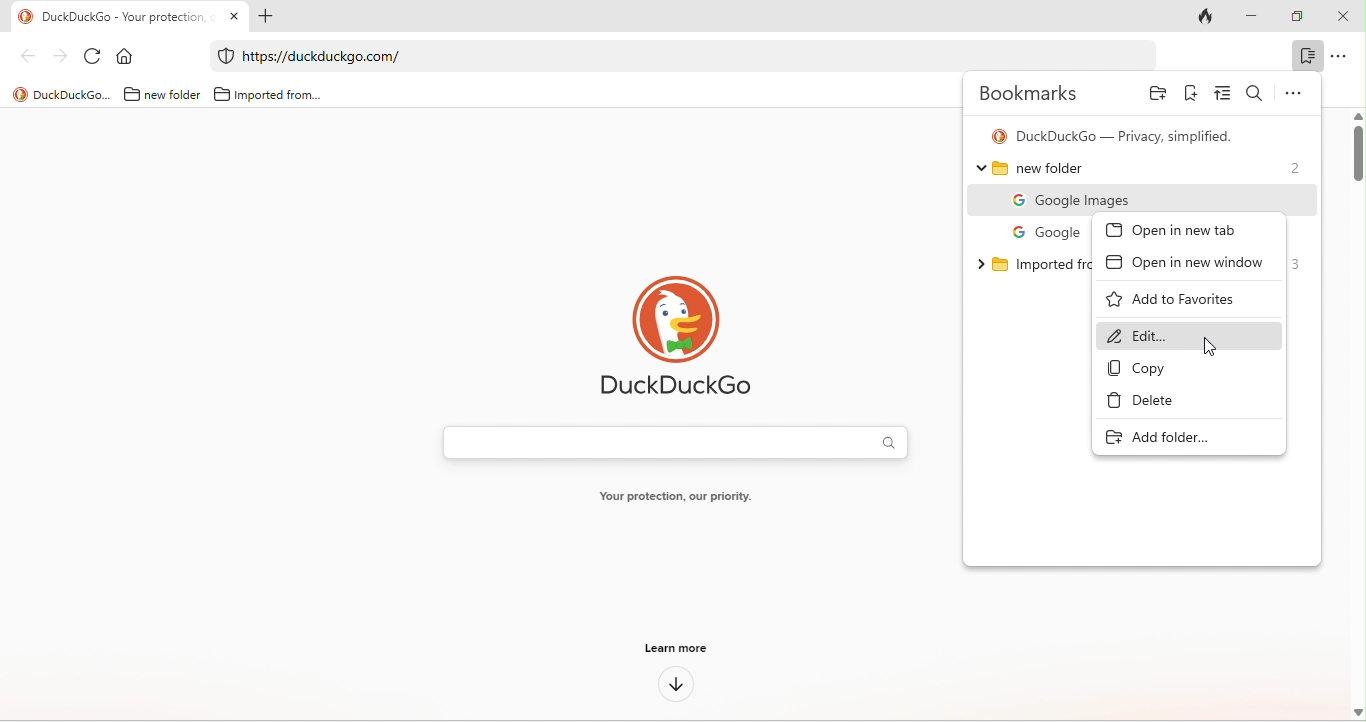 Image resolution: width=1366 pixels, height=722 pixels. I want to click on duckduckgo protection, so click(223, 56).